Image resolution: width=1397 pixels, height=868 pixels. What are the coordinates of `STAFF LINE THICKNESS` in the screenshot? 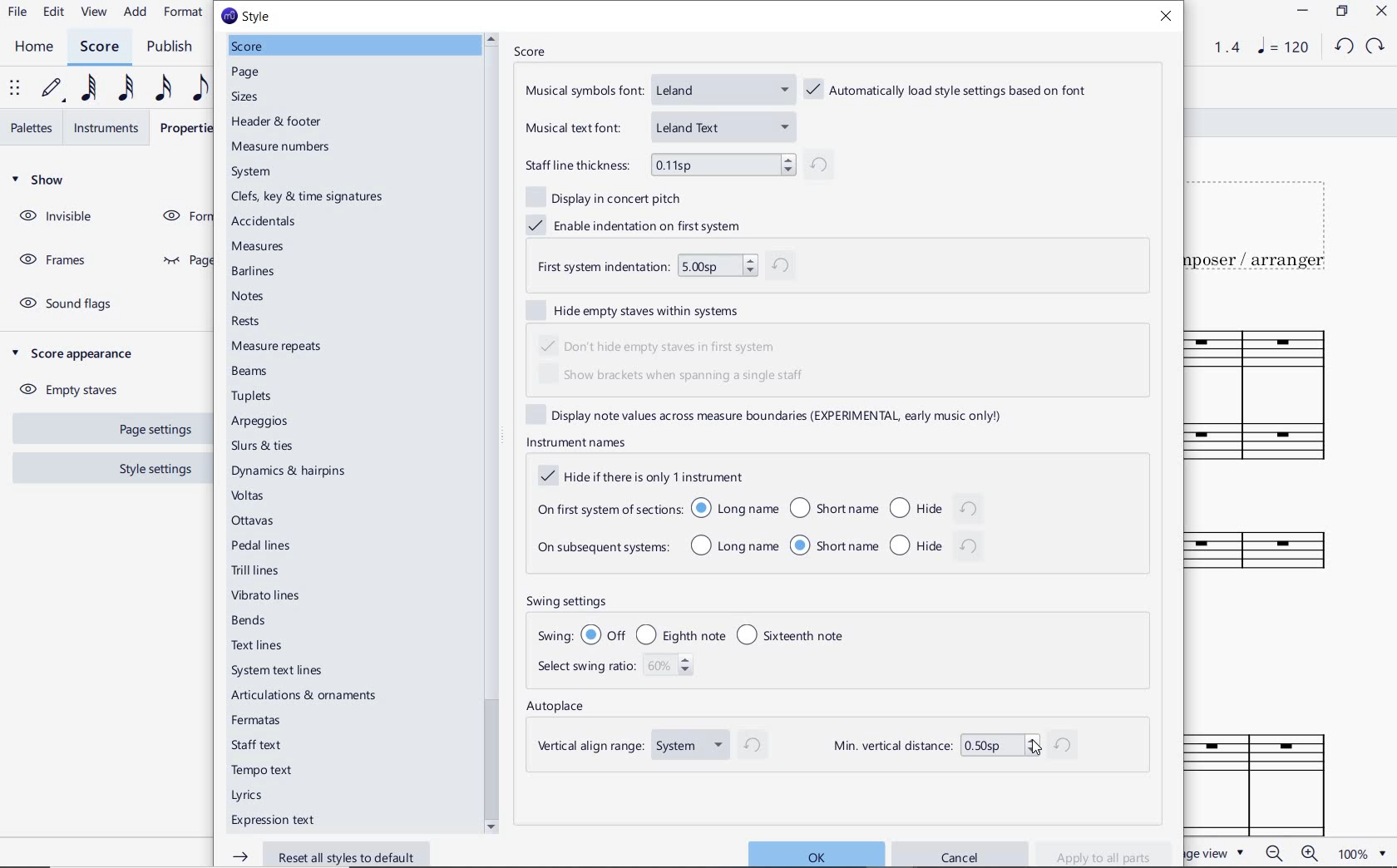 It's located at (676, 164).